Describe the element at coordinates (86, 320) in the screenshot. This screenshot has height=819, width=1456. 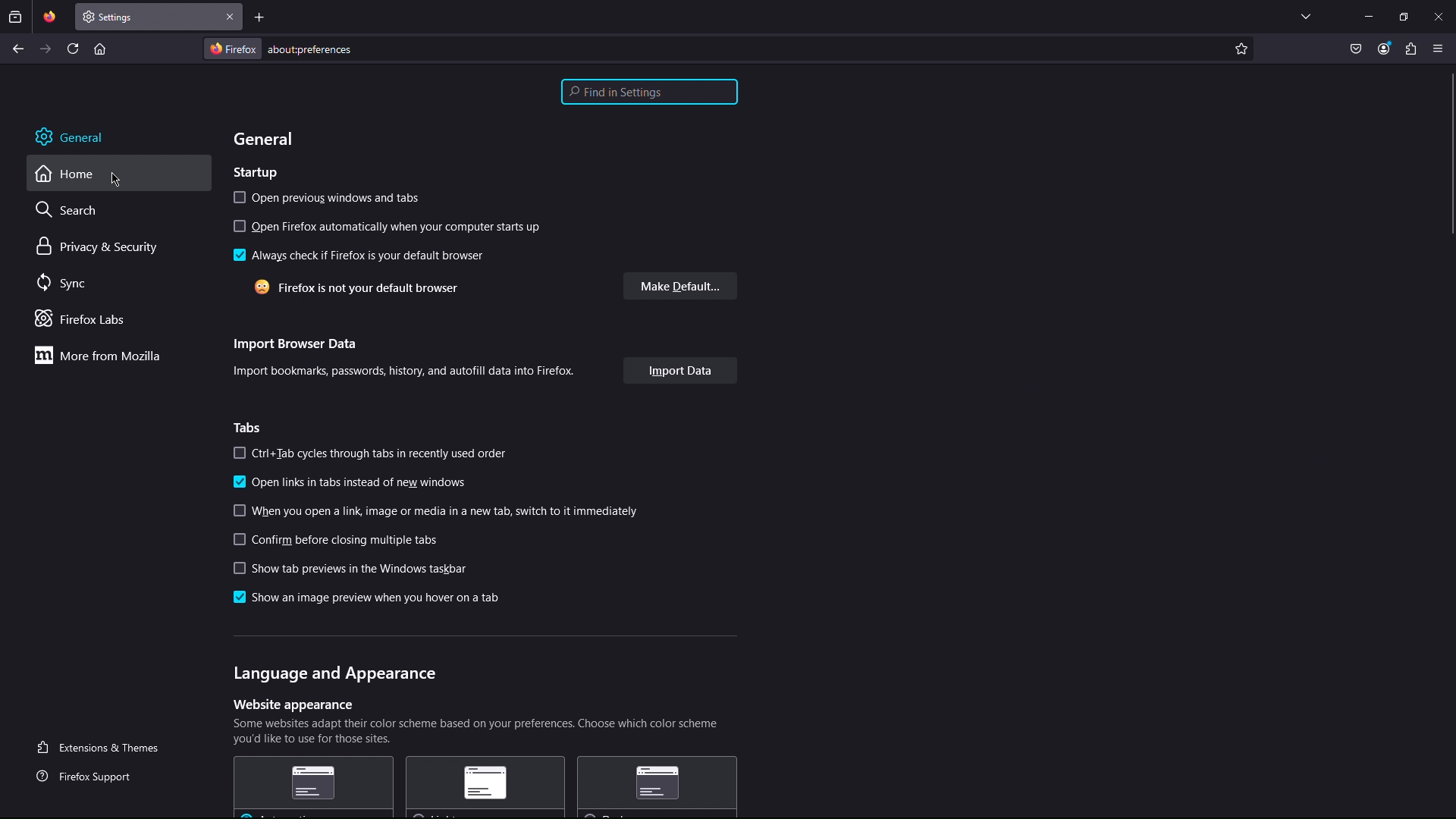
I see `Firefox Labs` at that location.